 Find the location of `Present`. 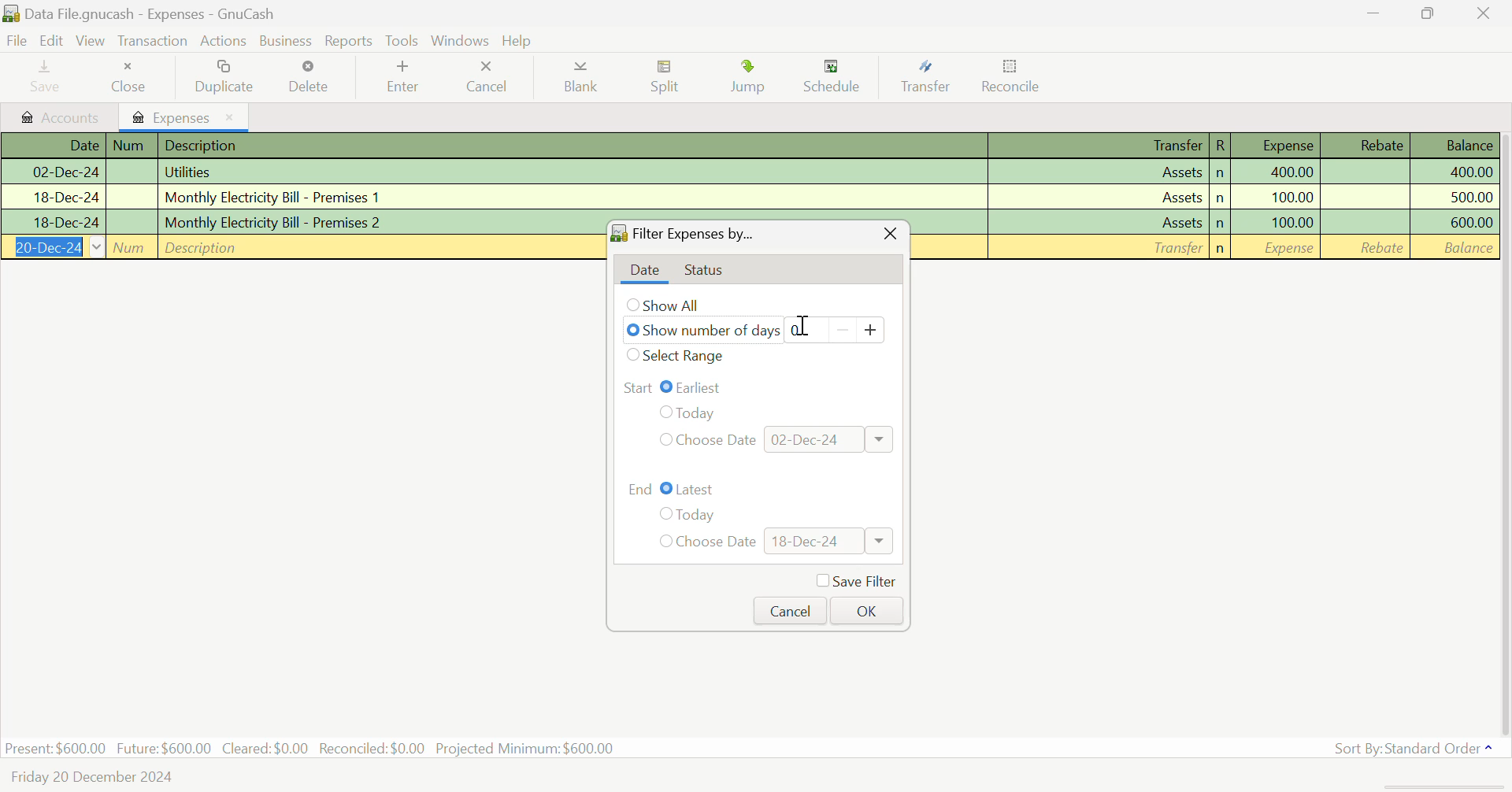

Present is located at coordinates (56, 749).